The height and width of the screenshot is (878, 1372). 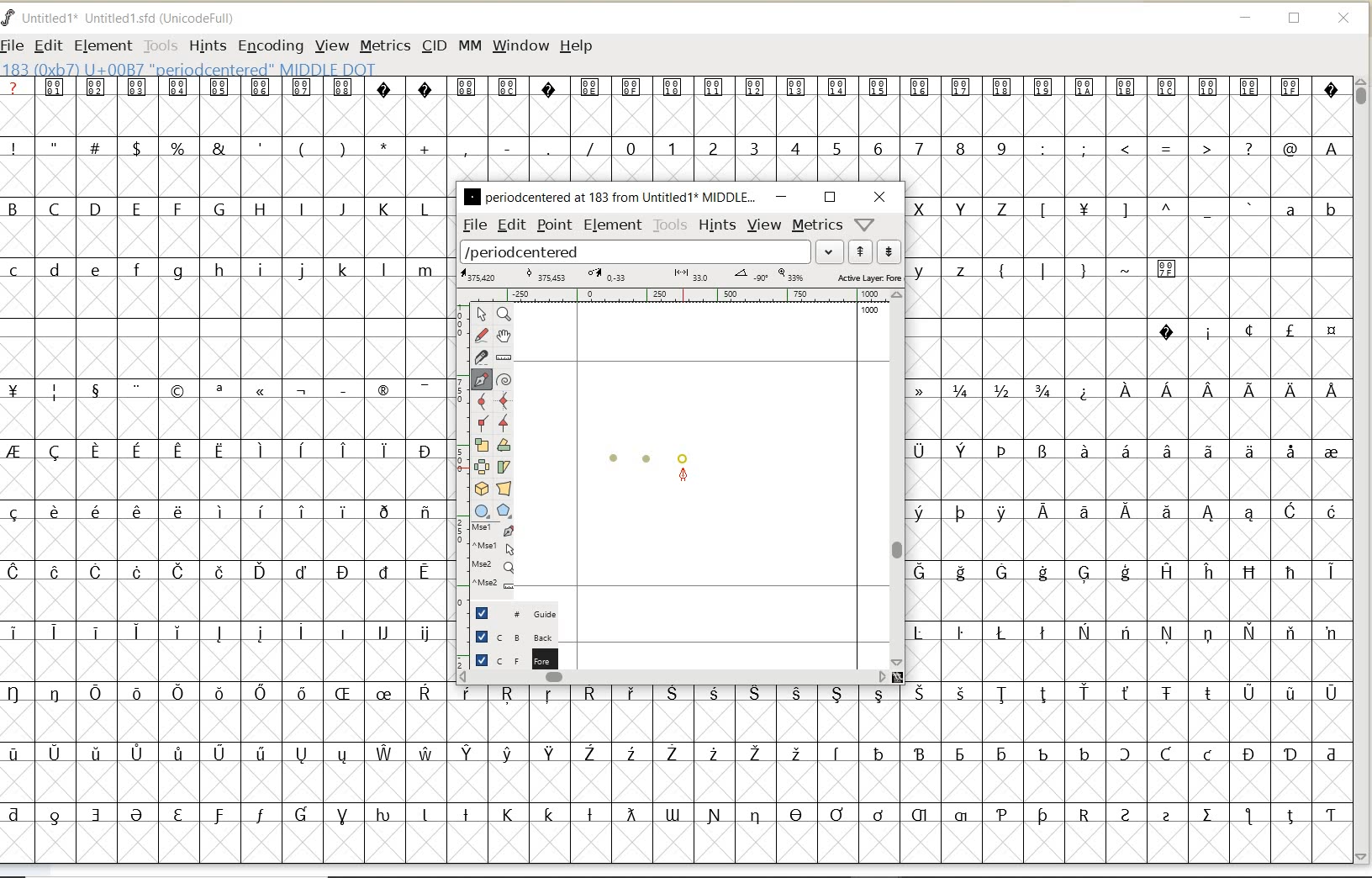 What do you see at coordinates (481, 488) in the screenshot?
I see `rotate the selection in 3D and project back to plane` at bounding box center [481, 488].